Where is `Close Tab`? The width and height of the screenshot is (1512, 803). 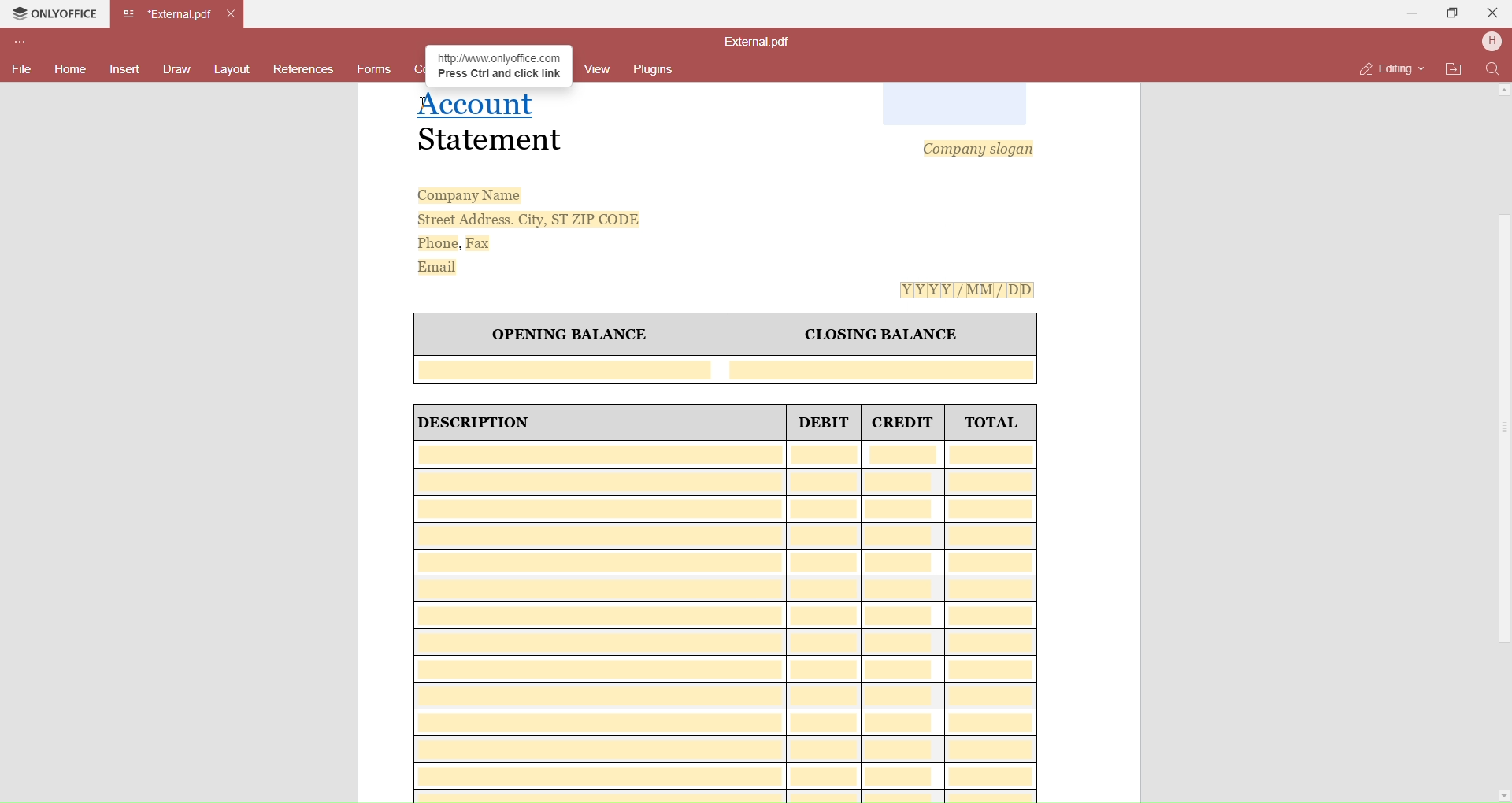
Close Tab is located at coordinates (236, 13).